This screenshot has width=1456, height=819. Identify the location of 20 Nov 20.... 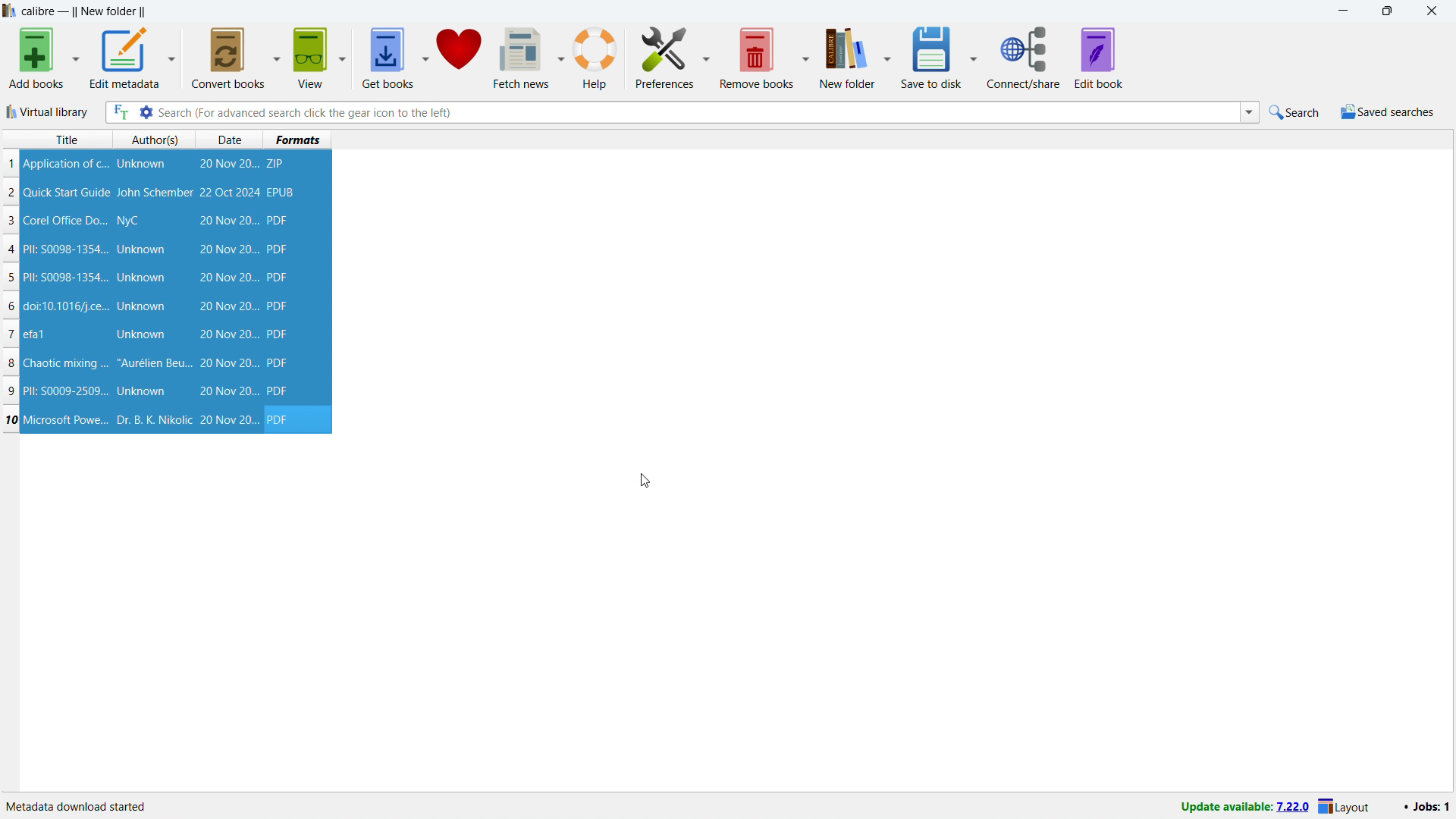
(227, 306).